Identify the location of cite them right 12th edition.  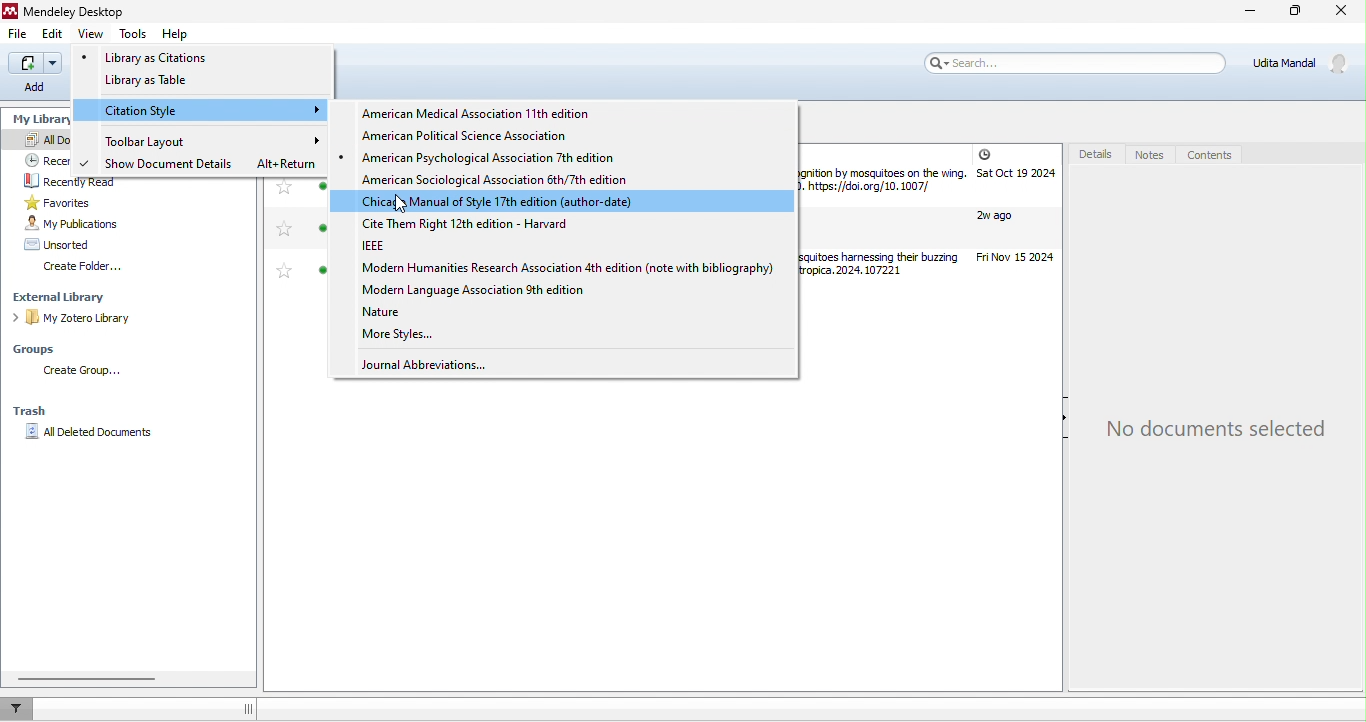
(515, 224).